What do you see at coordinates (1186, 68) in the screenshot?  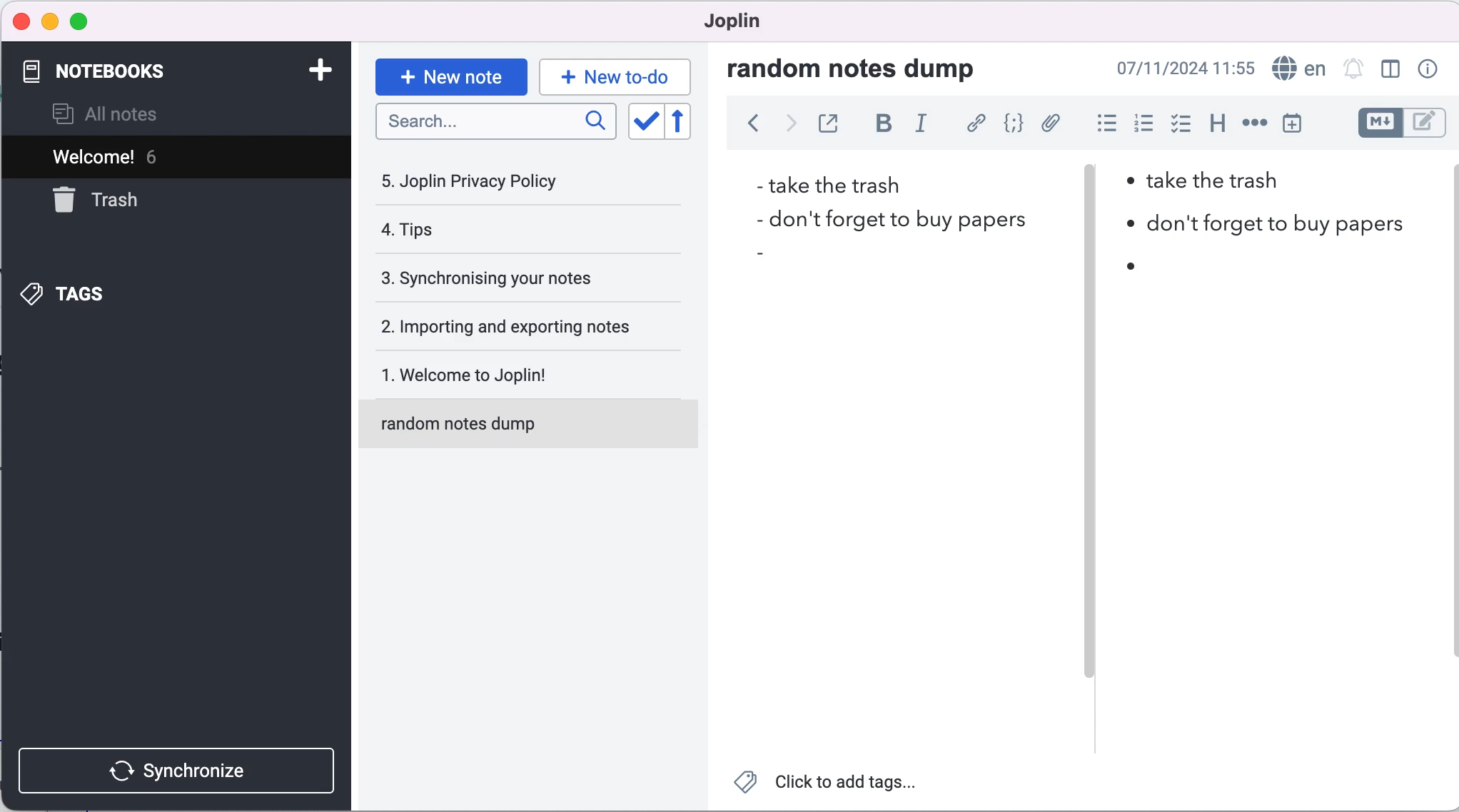 I see `07/11/2024 09:03` at bounding box center [1186, 68].